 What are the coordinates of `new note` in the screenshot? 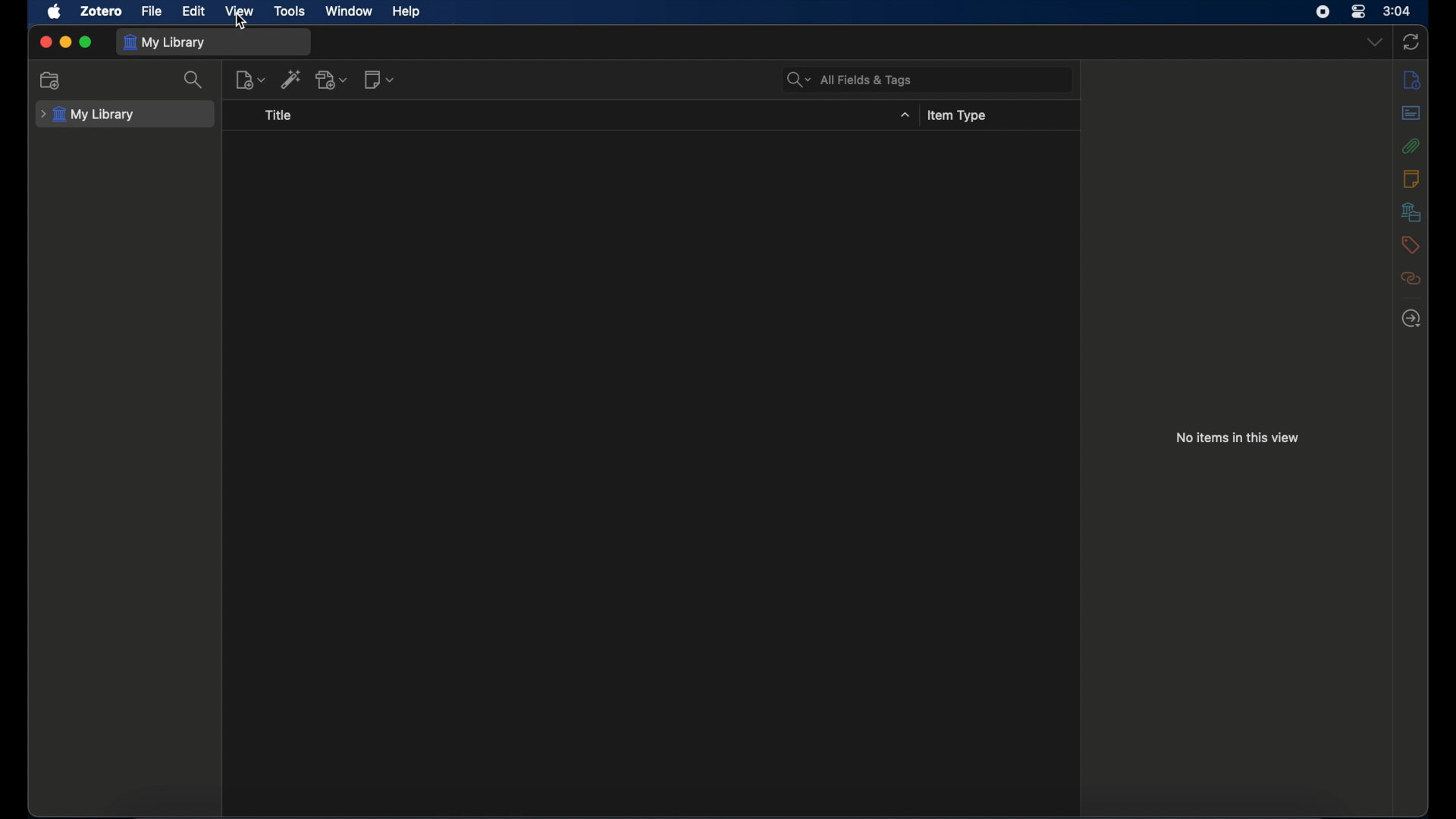 It's located at (379, 79).